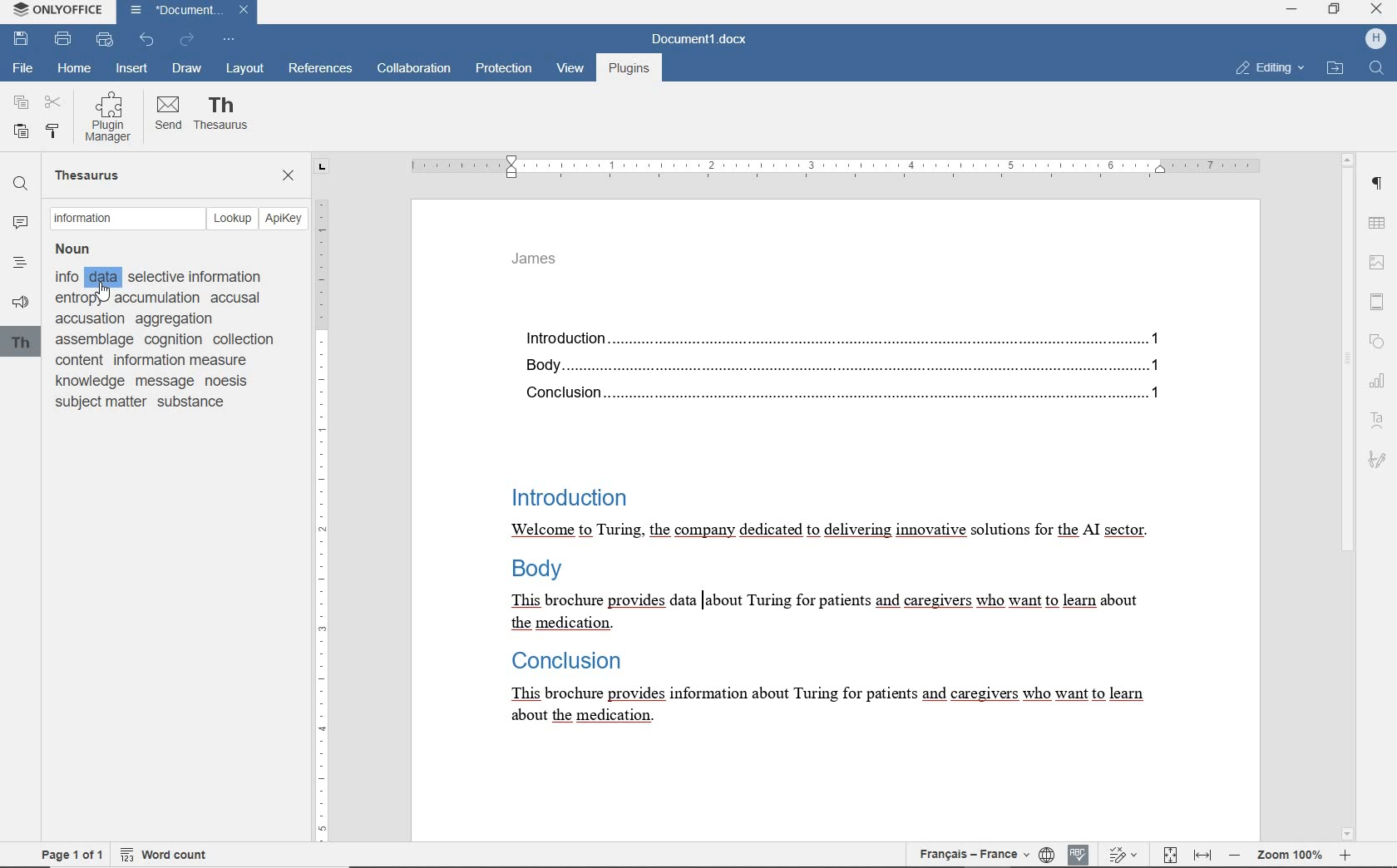 The width and height of the screenshot is (1397, 868). Describe the element at coordinates (20, 299) in the screenshot. I see `FEEDBACK & SUPPORT` at that location.